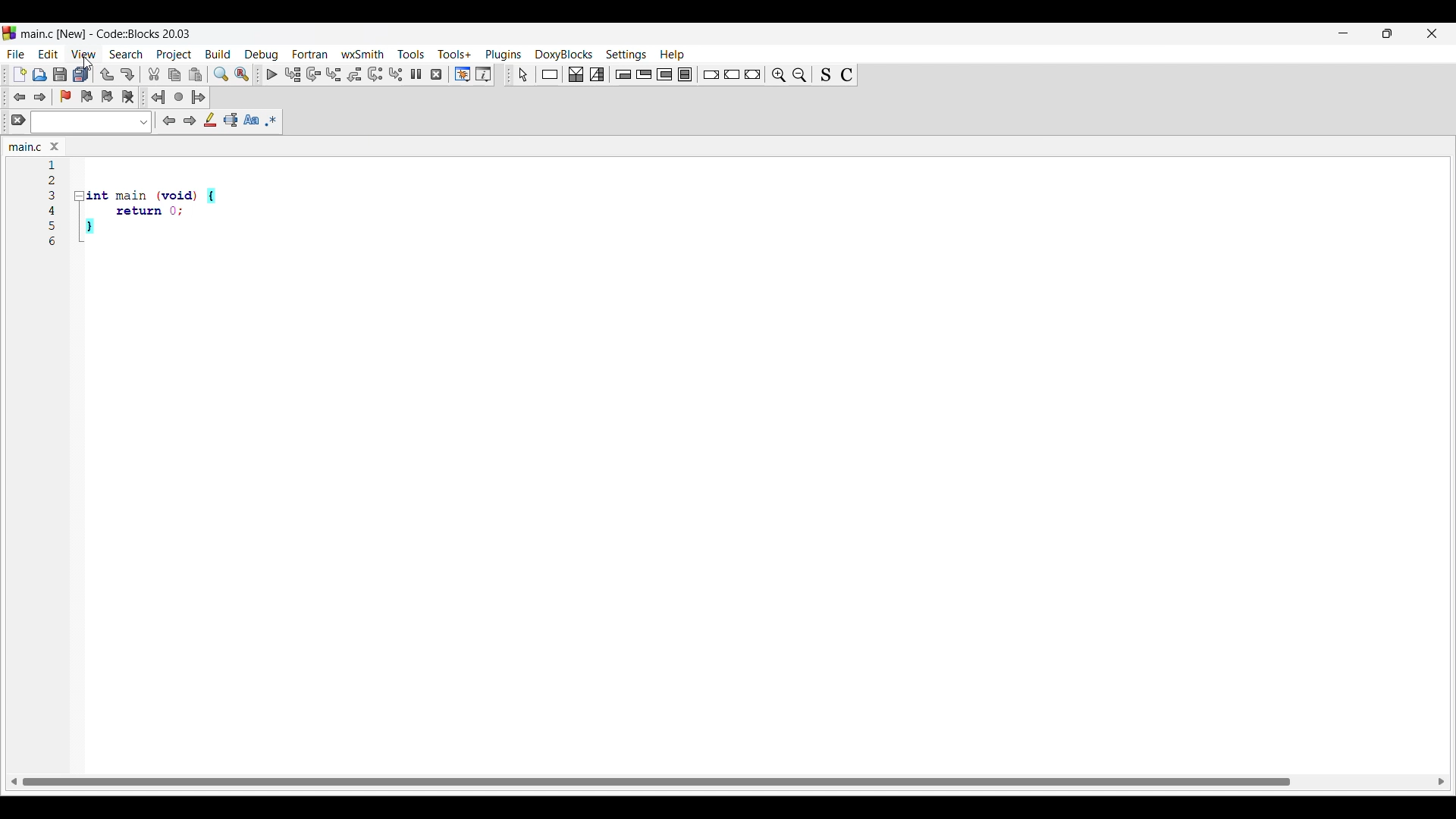 This screenshot has width=1456, height=819. What do you see at coordinates (60, 74) in the screenshot?
I see `Save` at bounding box center [60, 74].